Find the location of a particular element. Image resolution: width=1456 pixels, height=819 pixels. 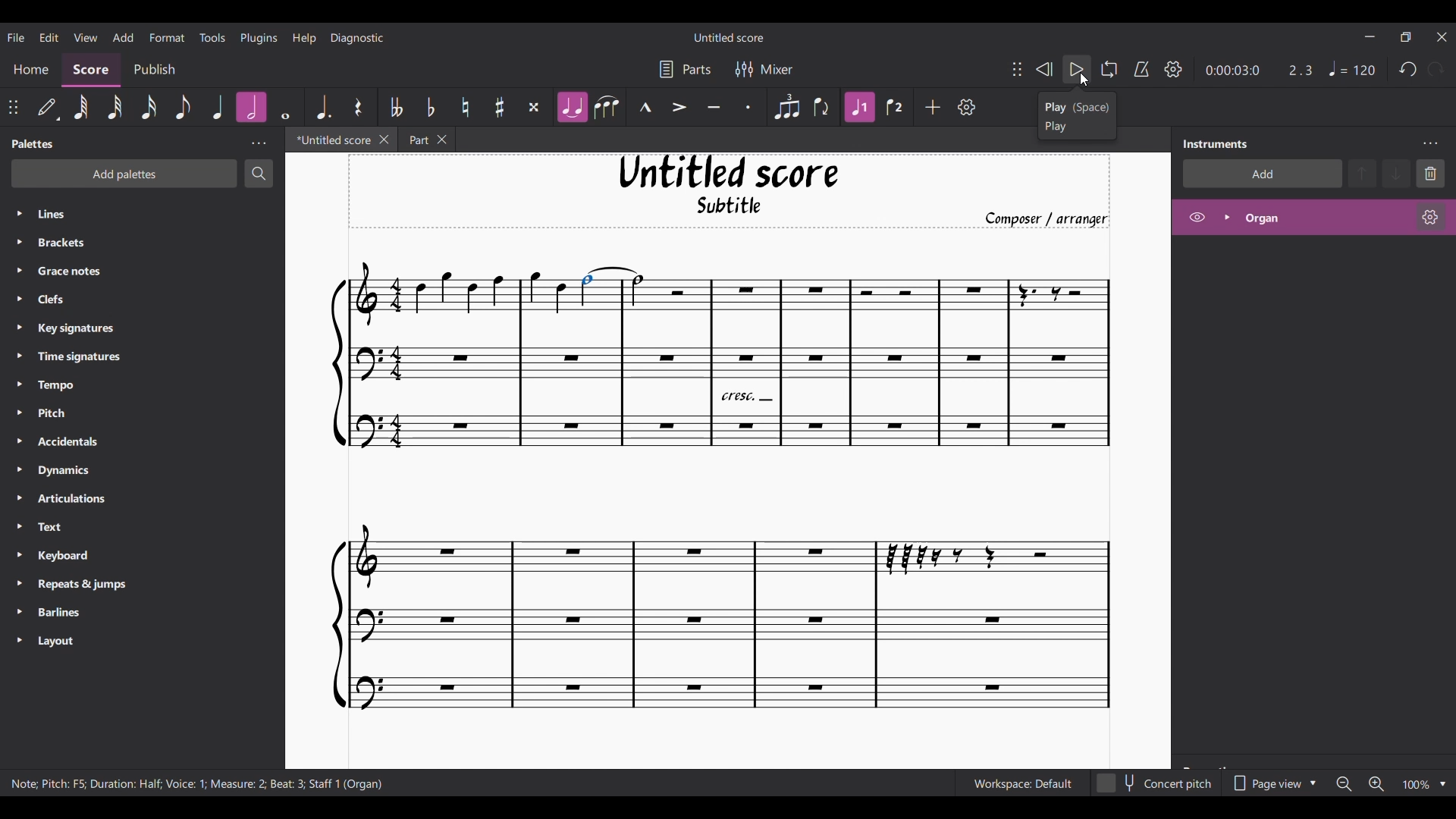

64th note is located at coordinates (82, 108).